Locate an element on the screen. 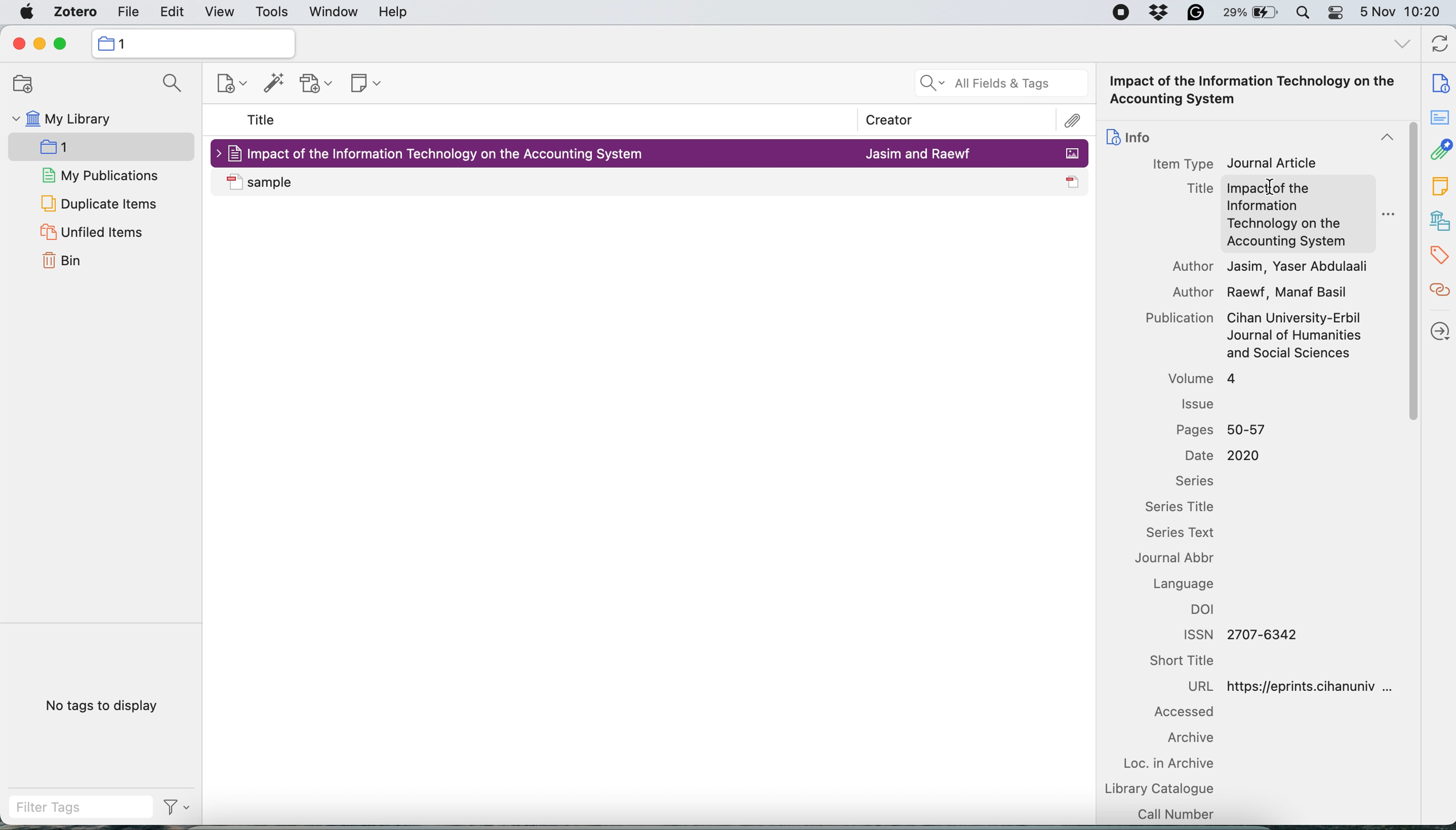 The image size is (1456, 830). minimise is located at coordinates (40, 44).